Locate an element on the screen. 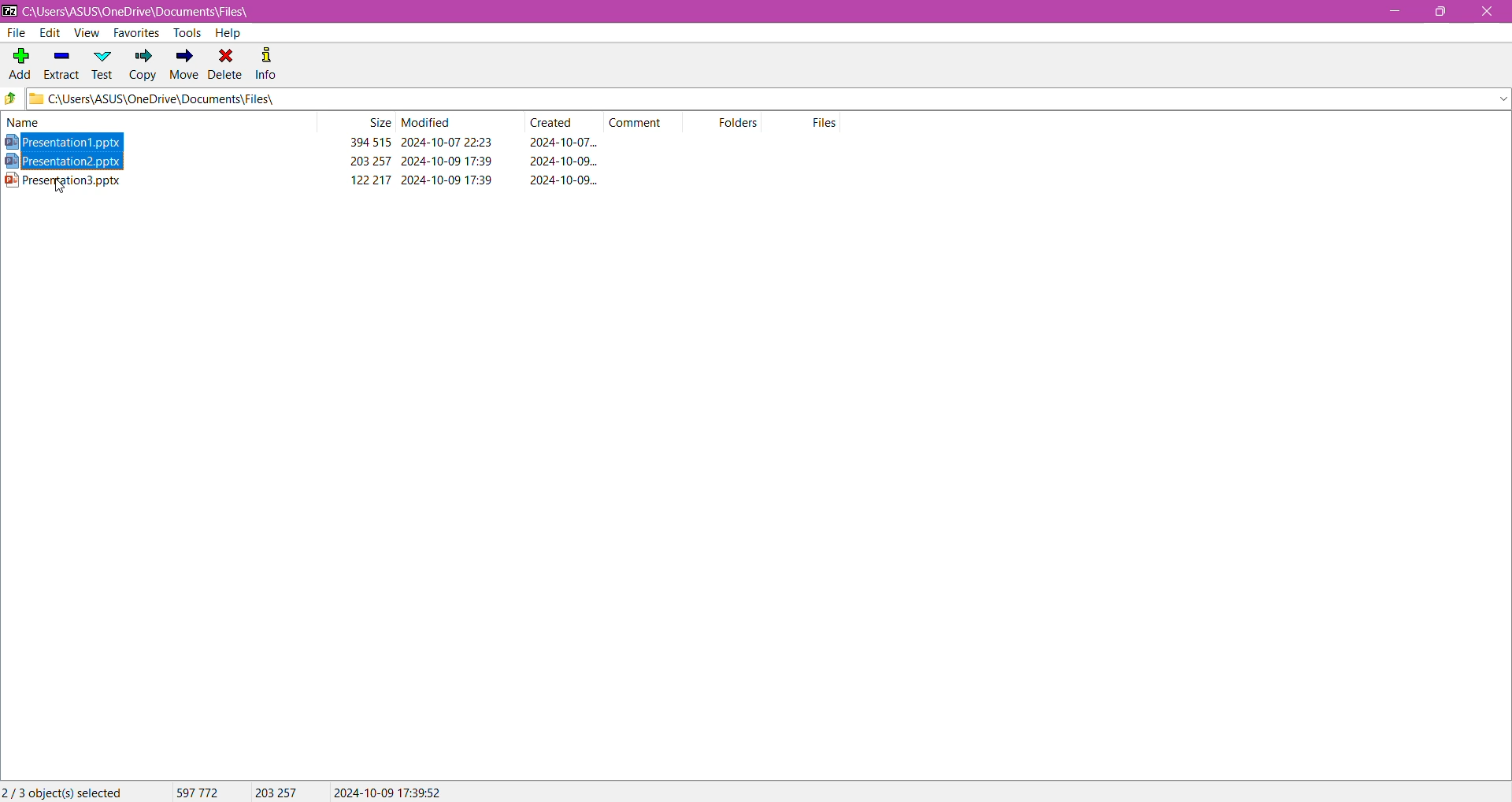 Image resolution: width=1512 pixels, height=802 pixels. 597772 is located at coordinates (196, 793).